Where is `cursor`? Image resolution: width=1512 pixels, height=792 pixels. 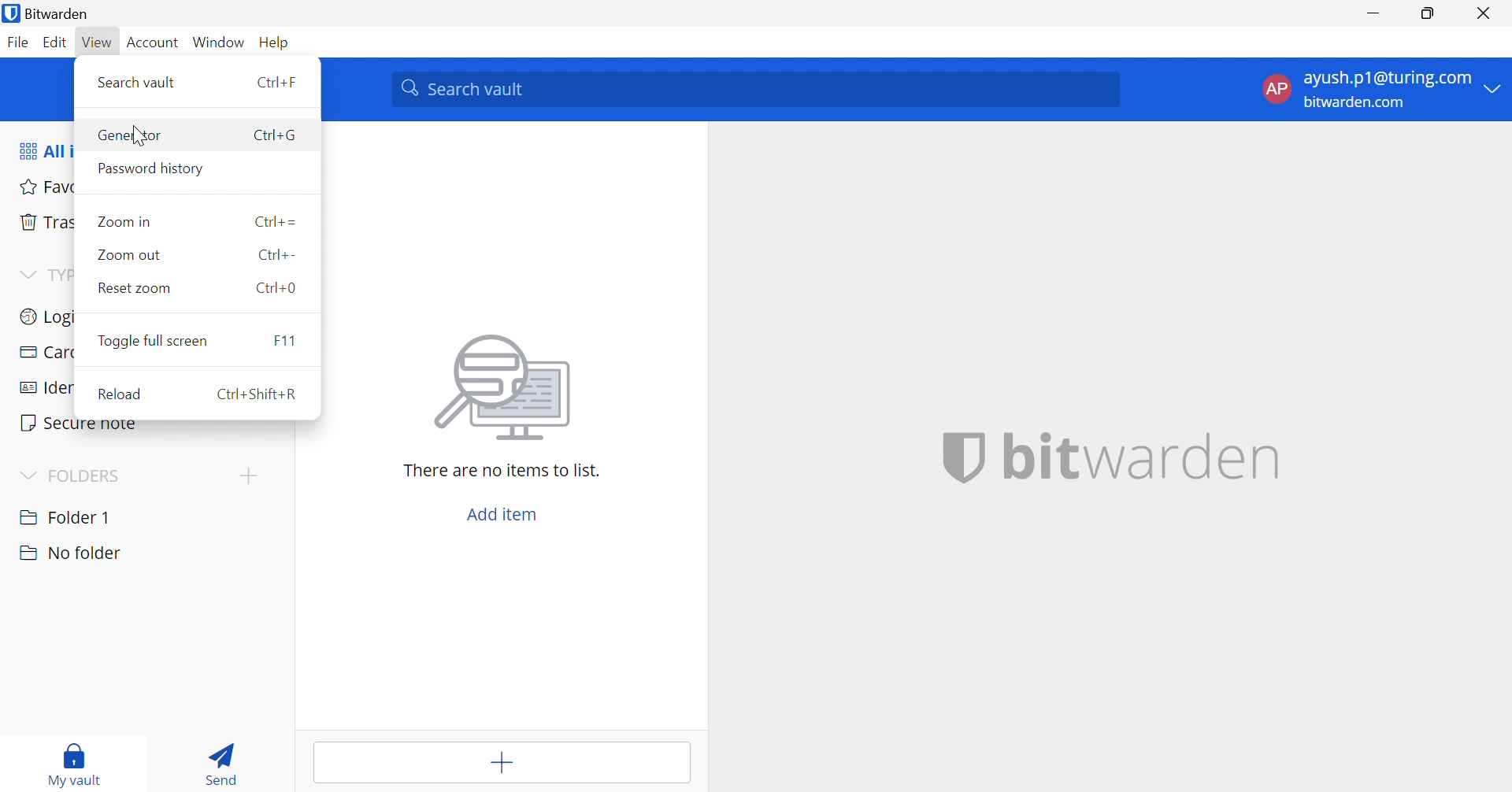 cursor is located at coordinates (140, 136).